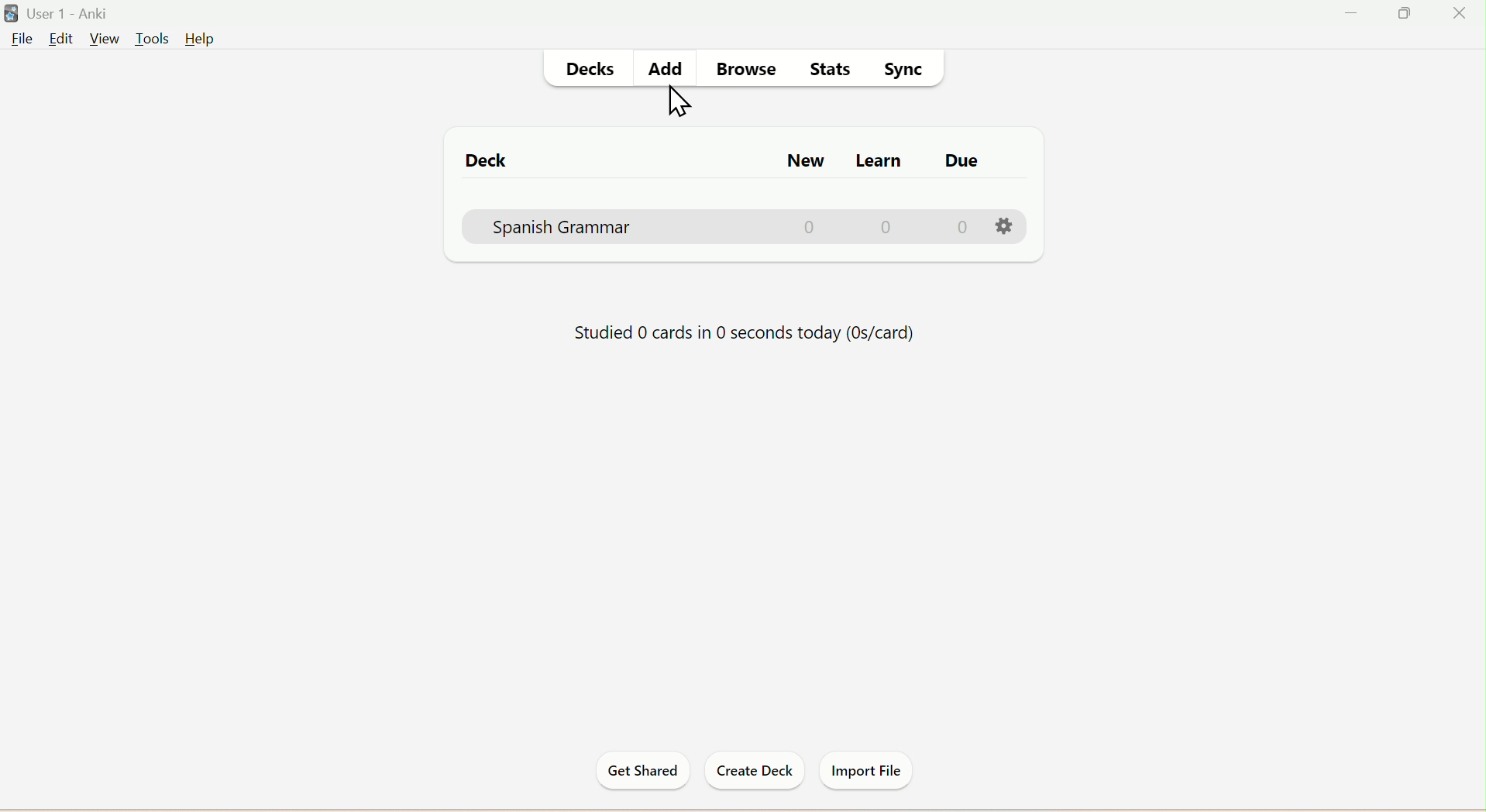 The height and width of the screenshot is (812, 1486). Describe the element at coordinates (877, 163) in the screenshot. I see `Learn` at that location.